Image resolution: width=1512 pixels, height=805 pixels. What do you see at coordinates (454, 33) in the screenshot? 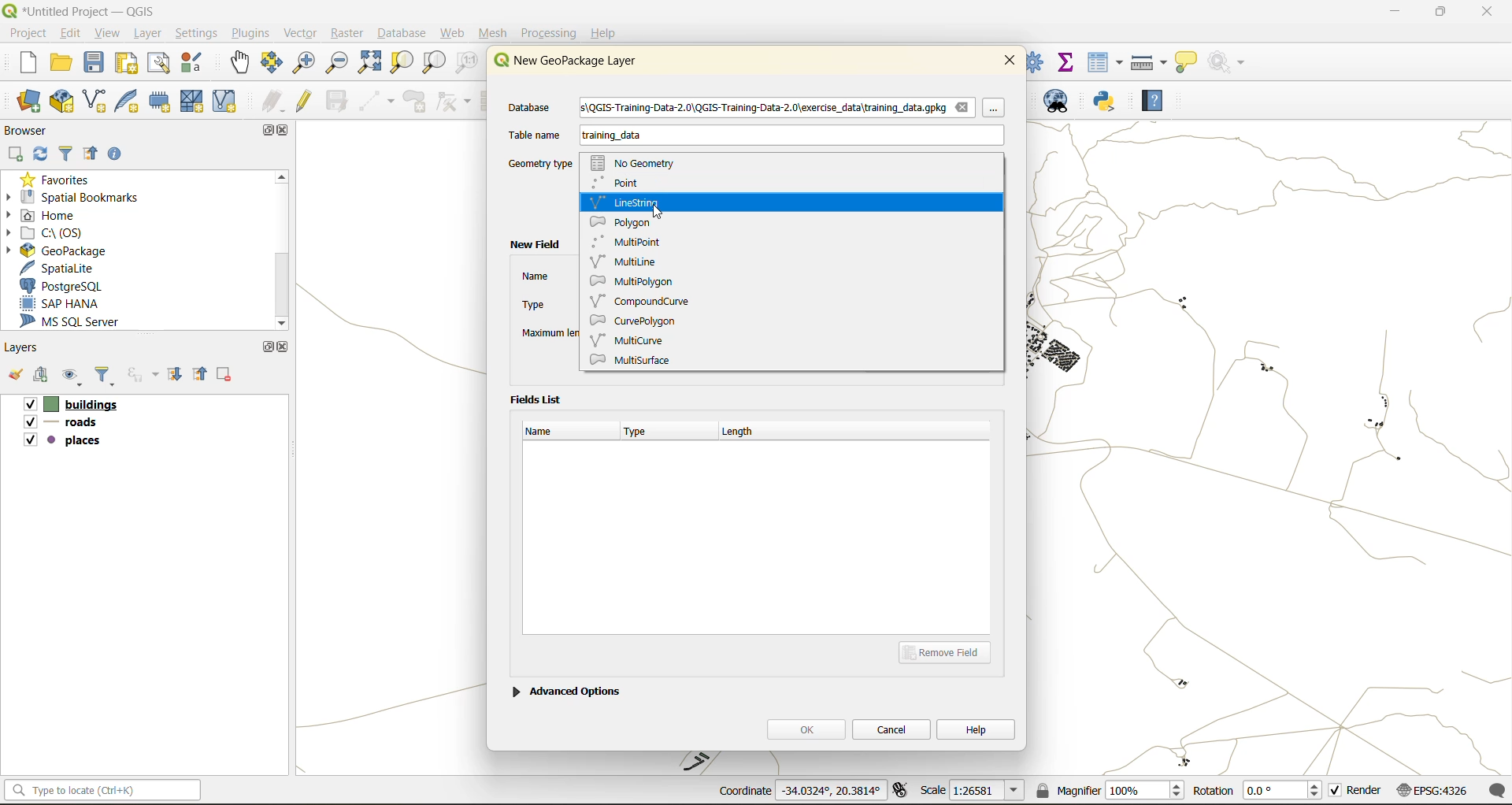
I see `web` at bounding box center [454, 33].